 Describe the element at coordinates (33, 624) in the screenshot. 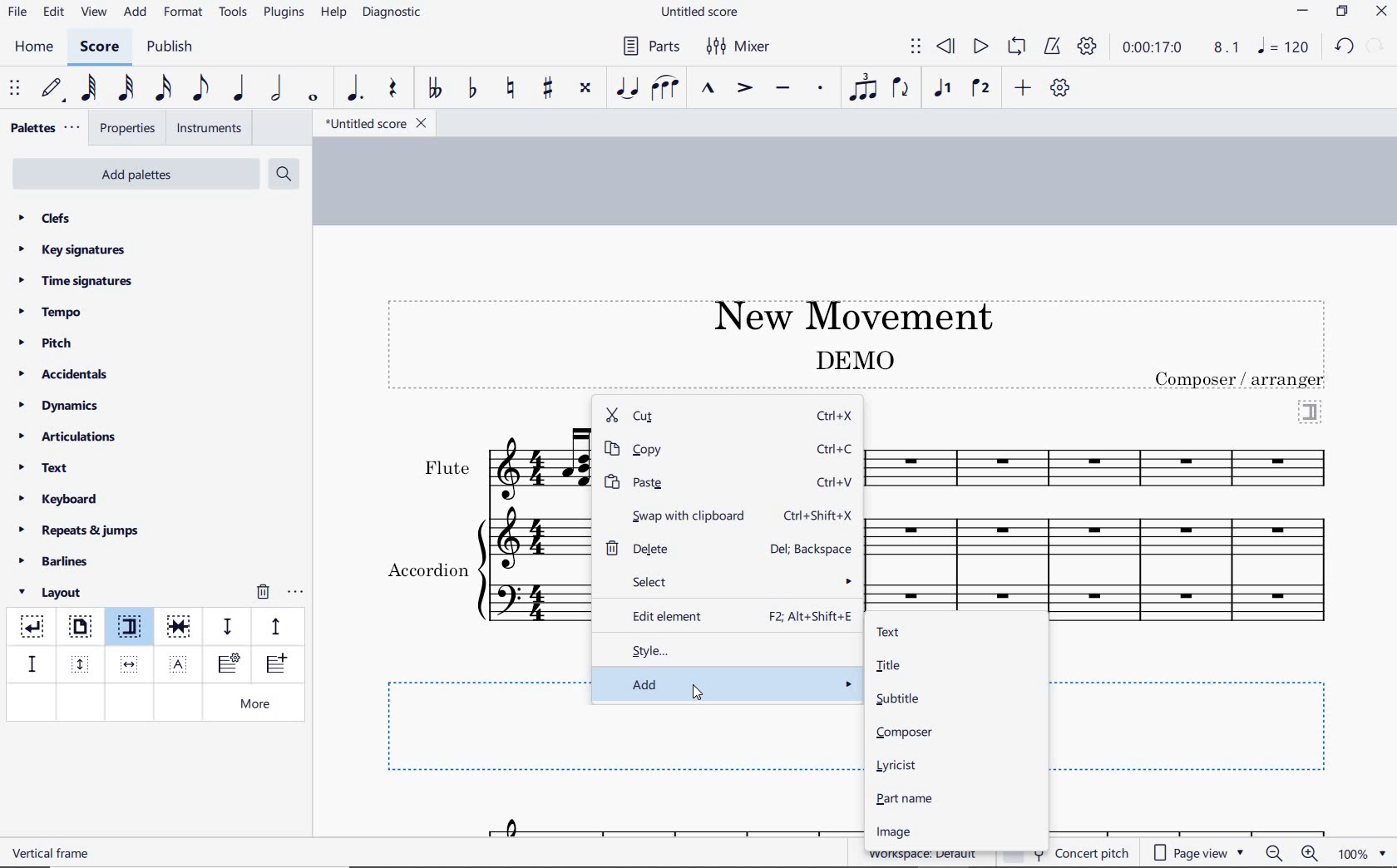

I see `system break` at that location.